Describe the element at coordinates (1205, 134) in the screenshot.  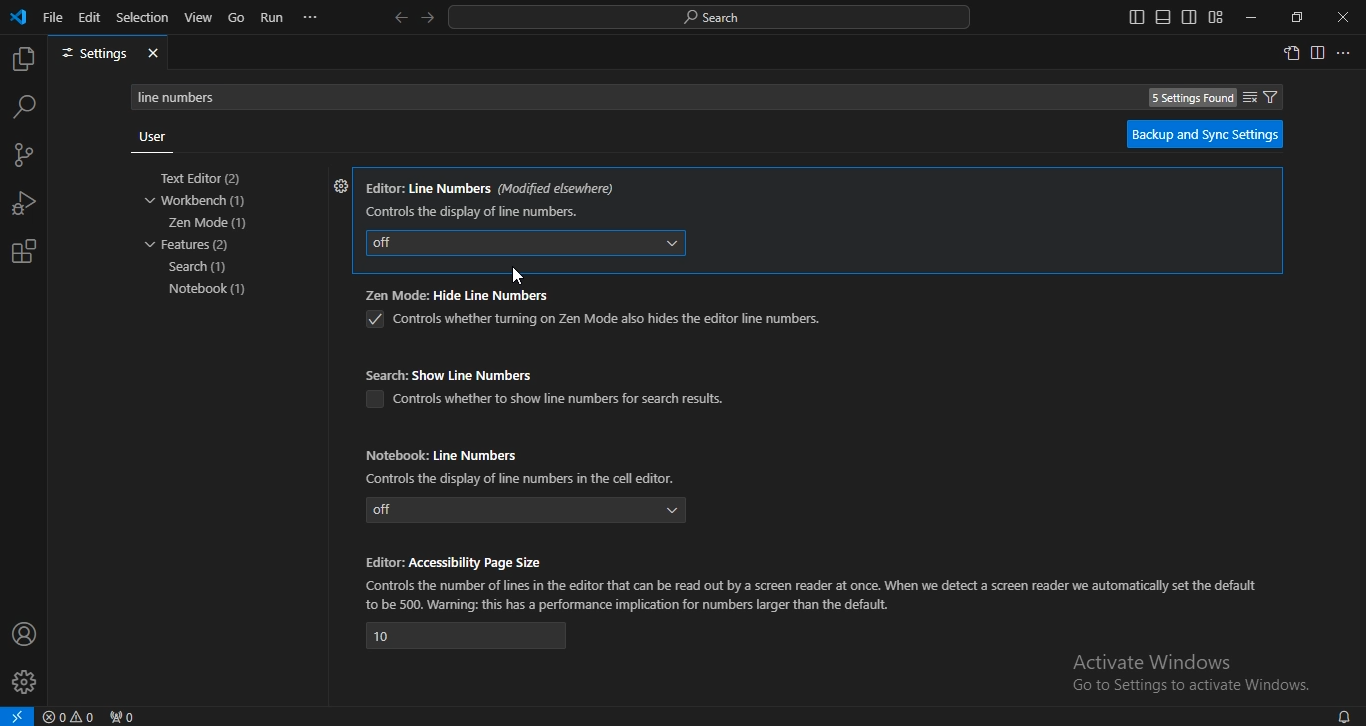
I see `backup and sync settings` at that location.